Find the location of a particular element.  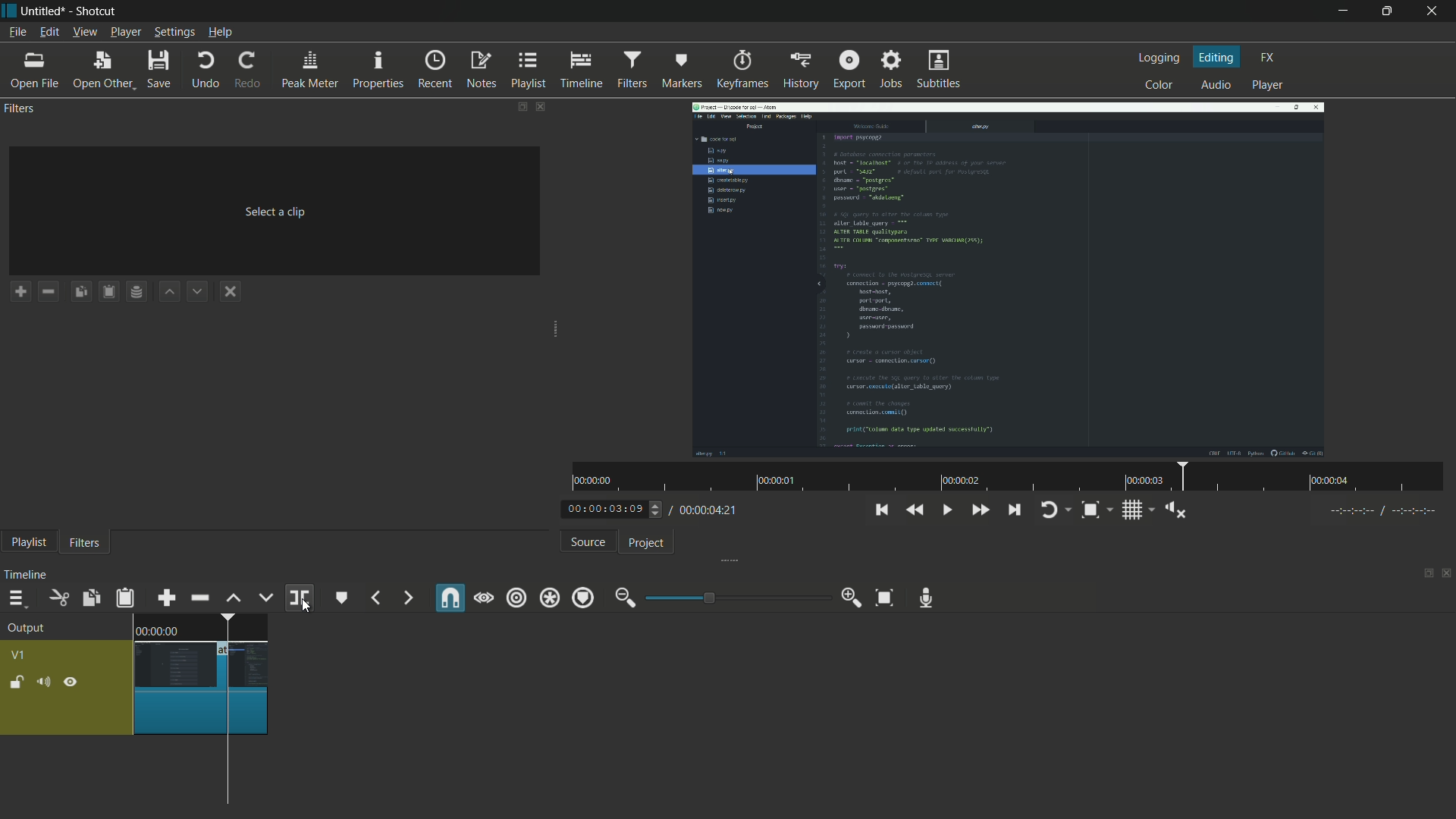

timeline is located at coordinates (28, 573).